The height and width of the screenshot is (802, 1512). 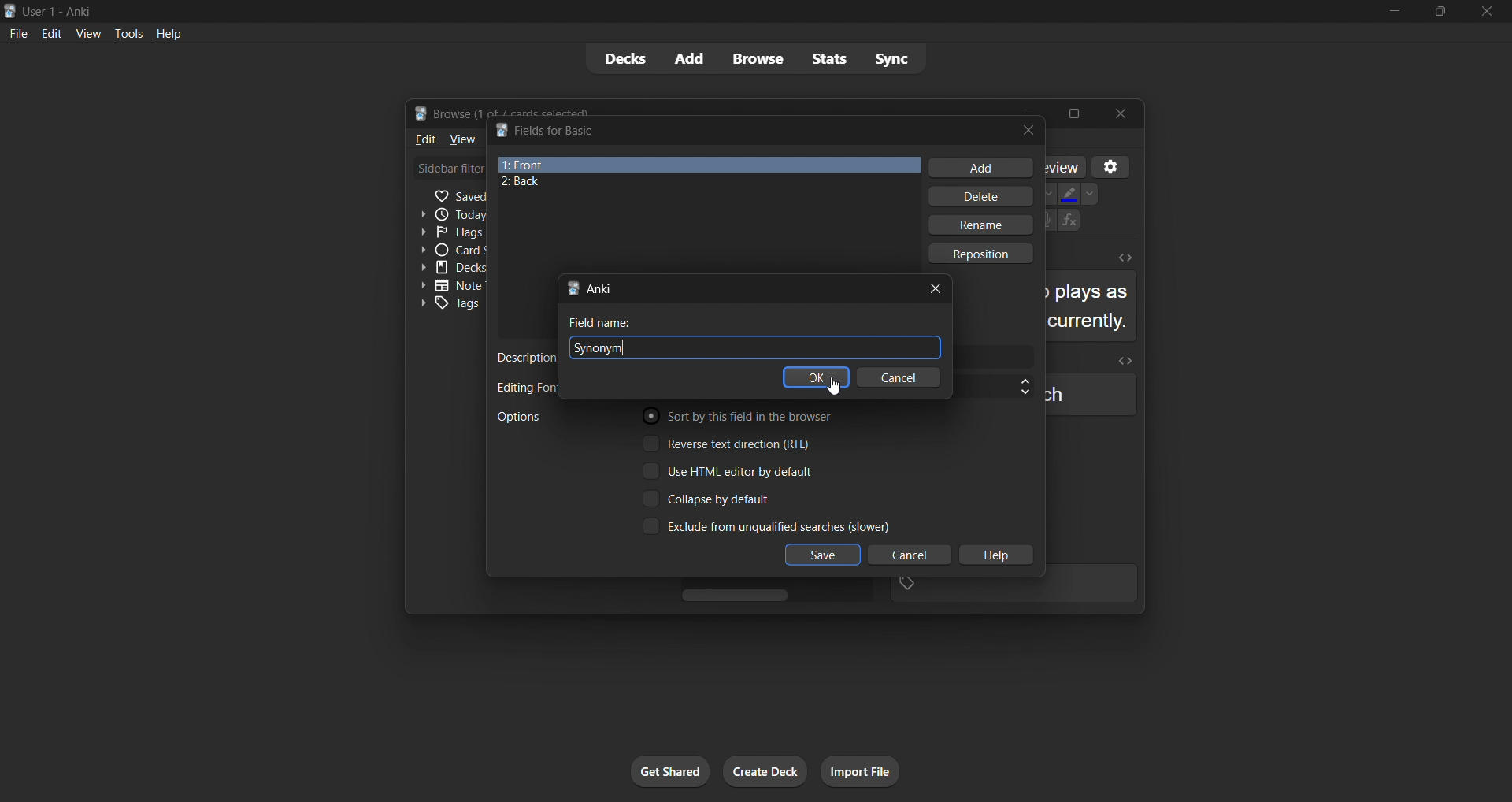 What do you see at coordinates (978, 166) in the screenshot?
I see `add field` at bounding box center [978, 166].